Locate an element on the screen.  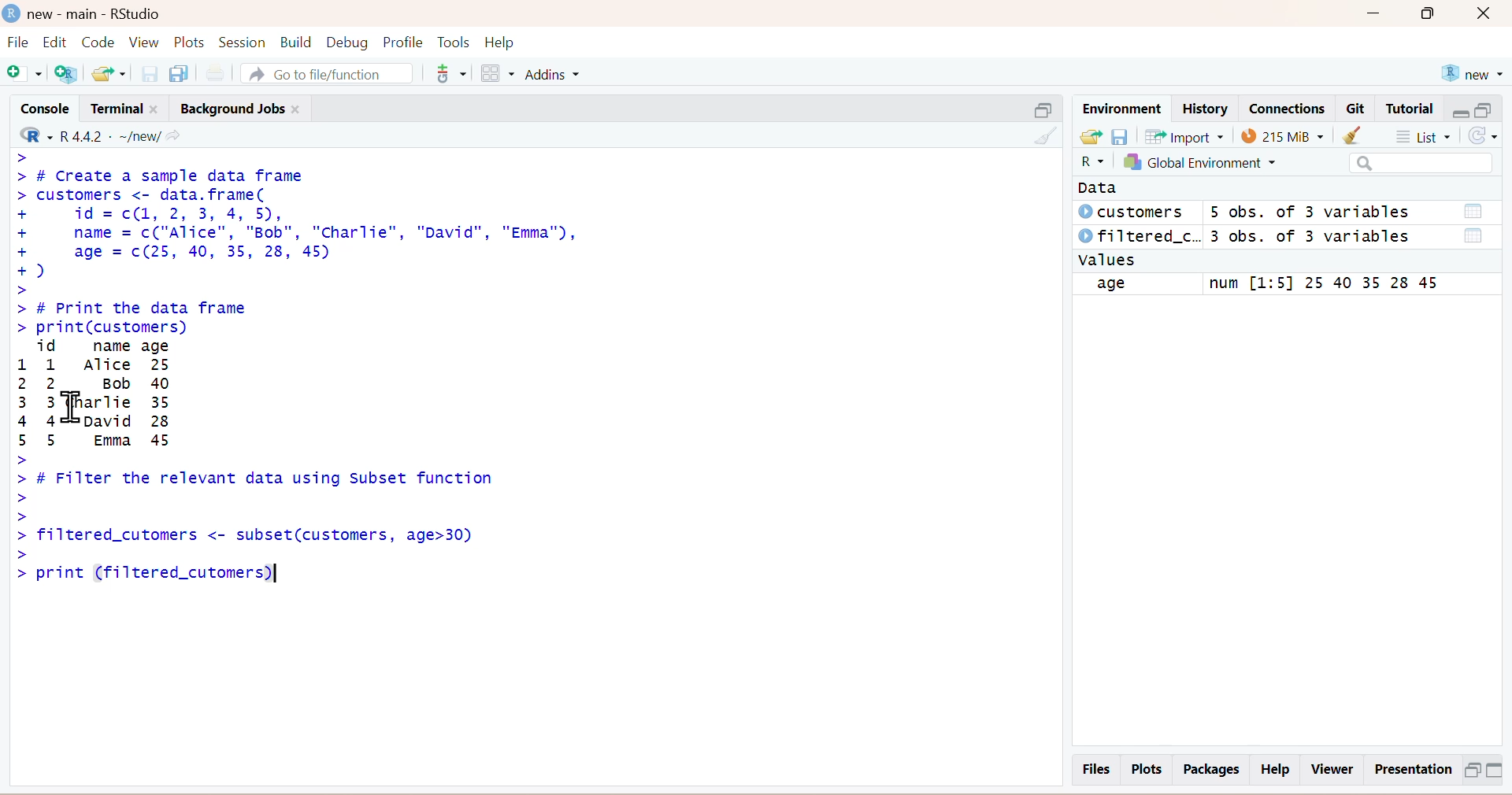
Help is located at coordinates (513, 42).